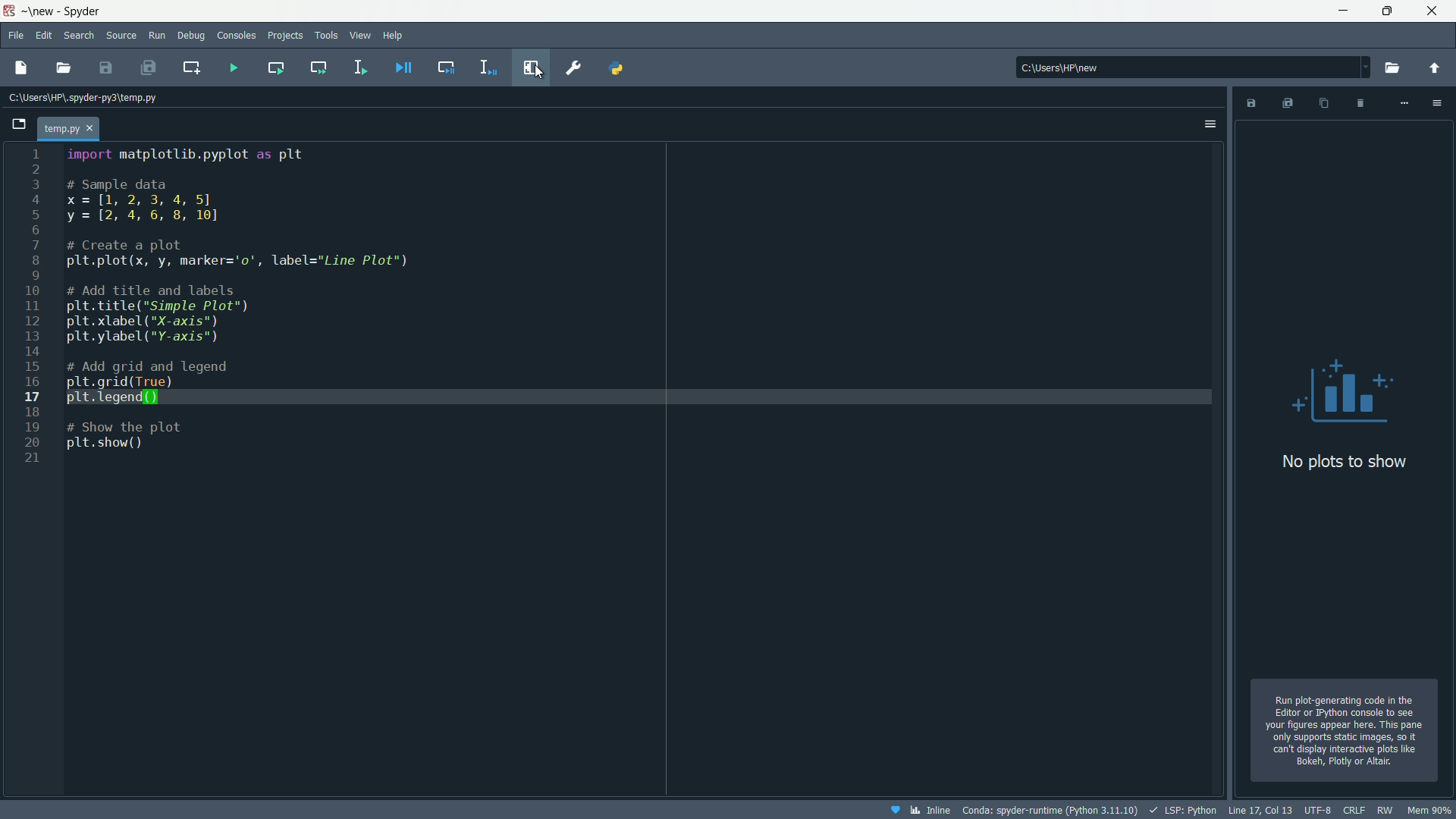  I want to click on close, so click(93, 128).